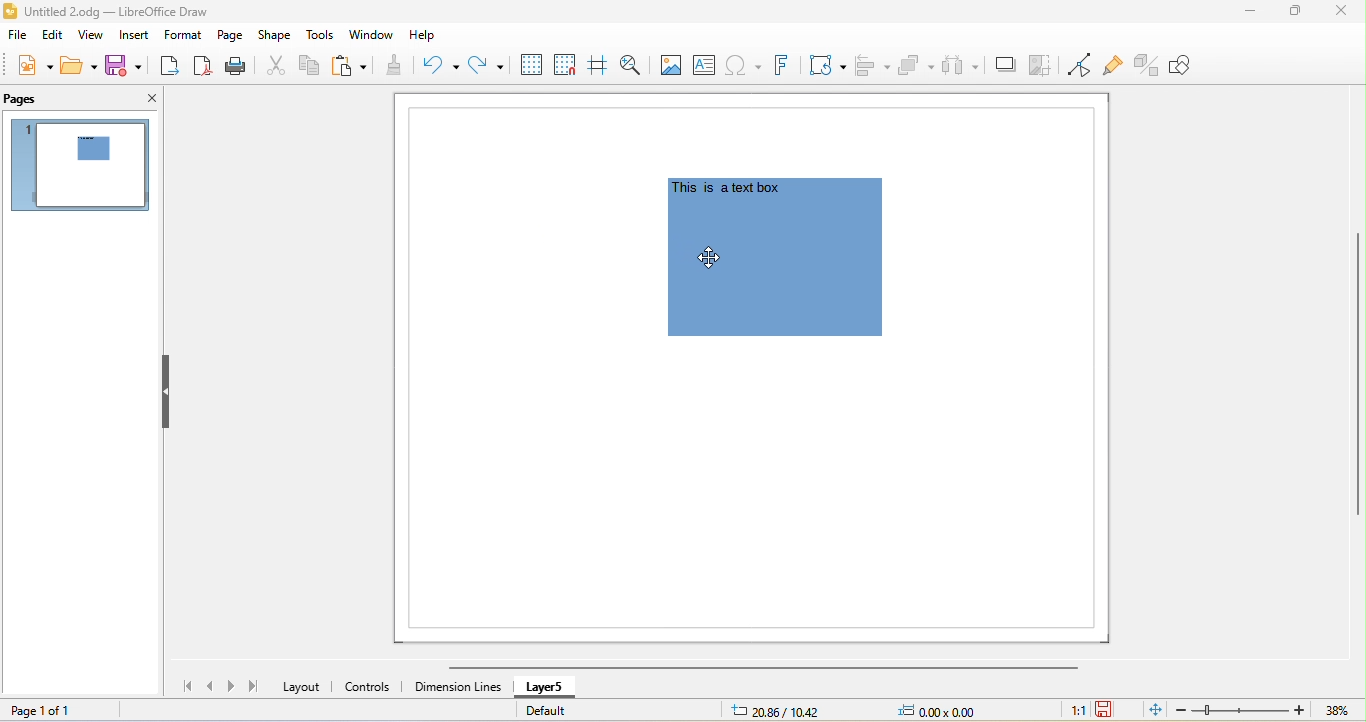 The image size is (1366, 722). Describe the element at coordinates (233, 686) in the screenshot. I see `next page` at that location.